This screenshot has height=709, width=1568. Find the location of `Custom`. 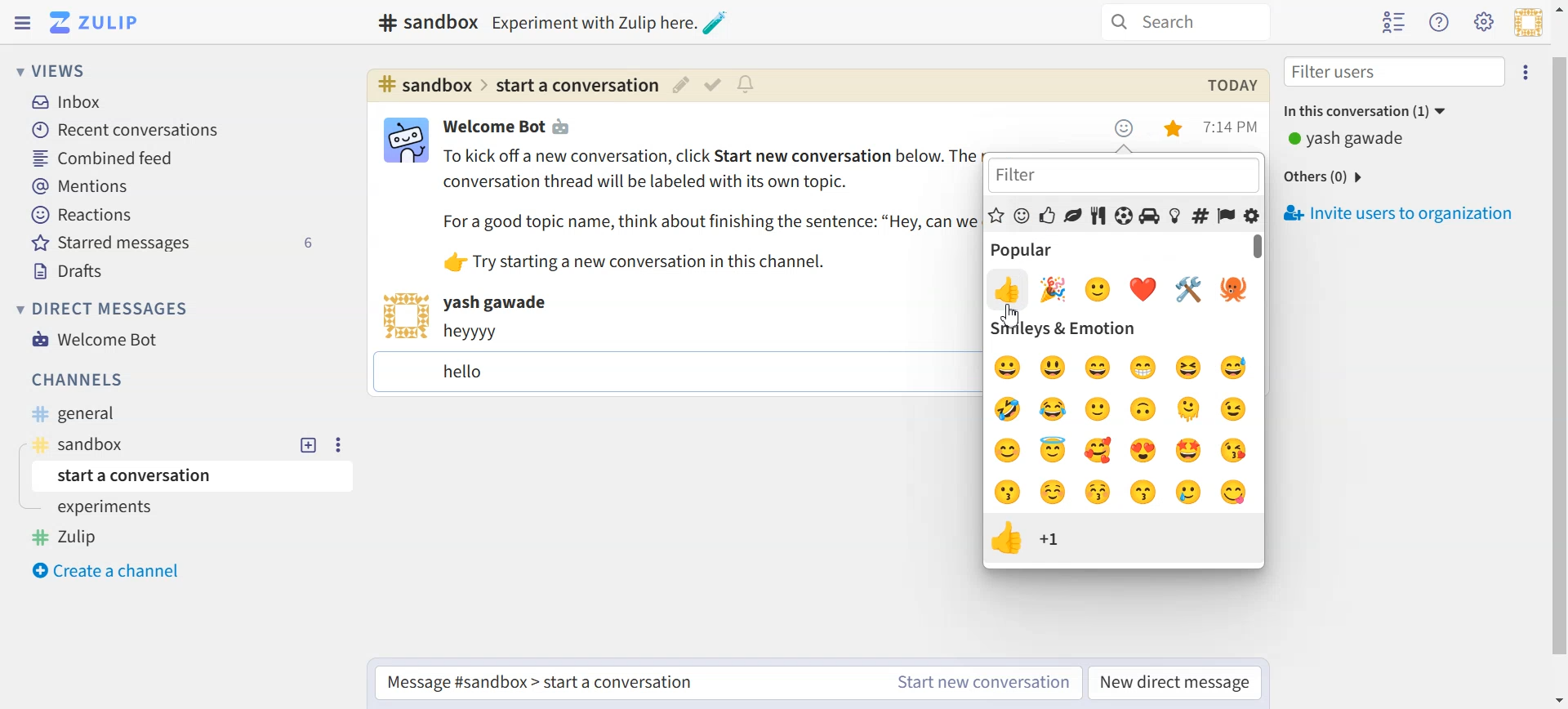

Custom is located at coordinates (1252, 216).